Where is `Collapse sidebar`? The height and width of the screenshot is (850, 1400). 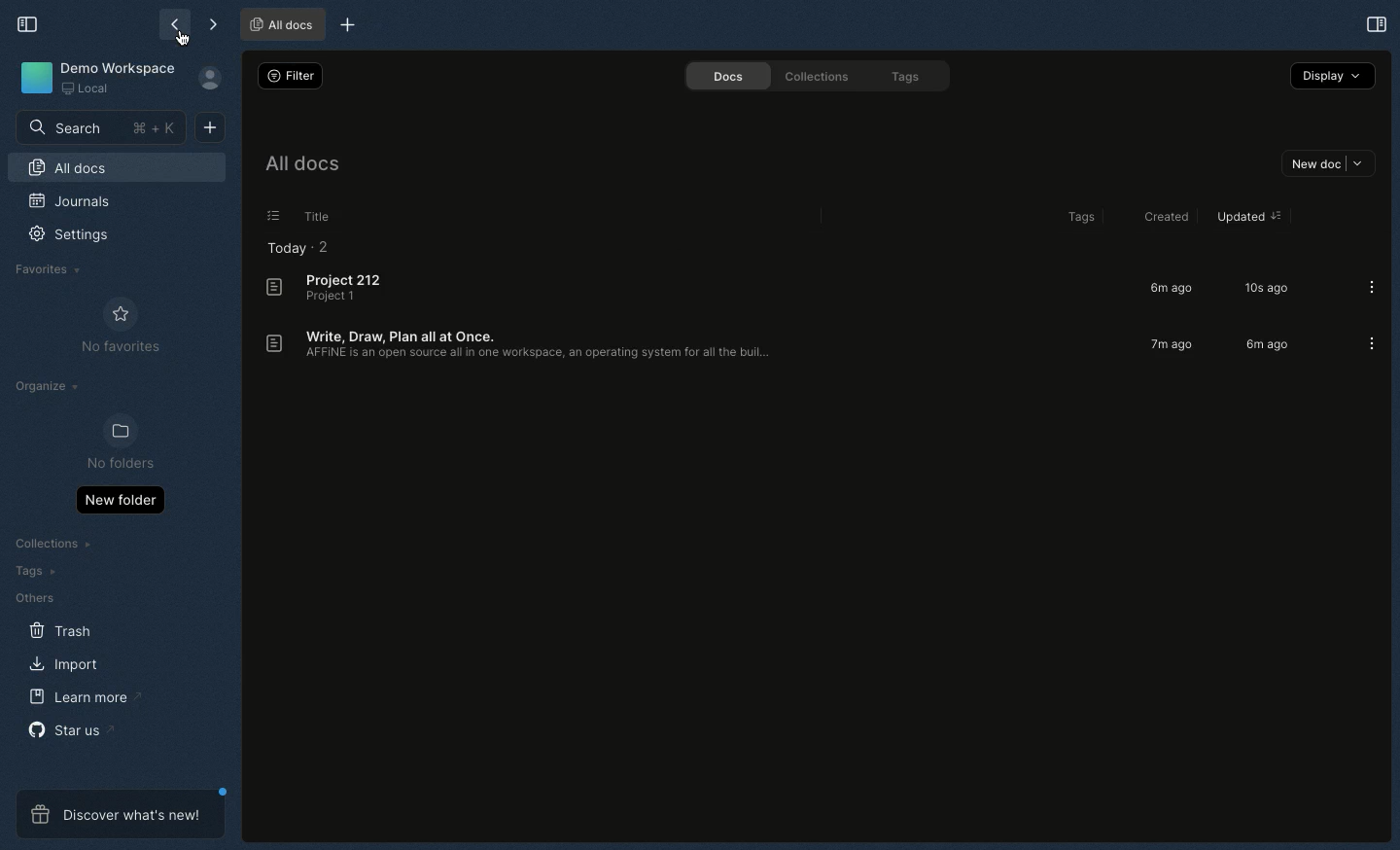 Collapse sidebar is located at coordinates (32, 24).